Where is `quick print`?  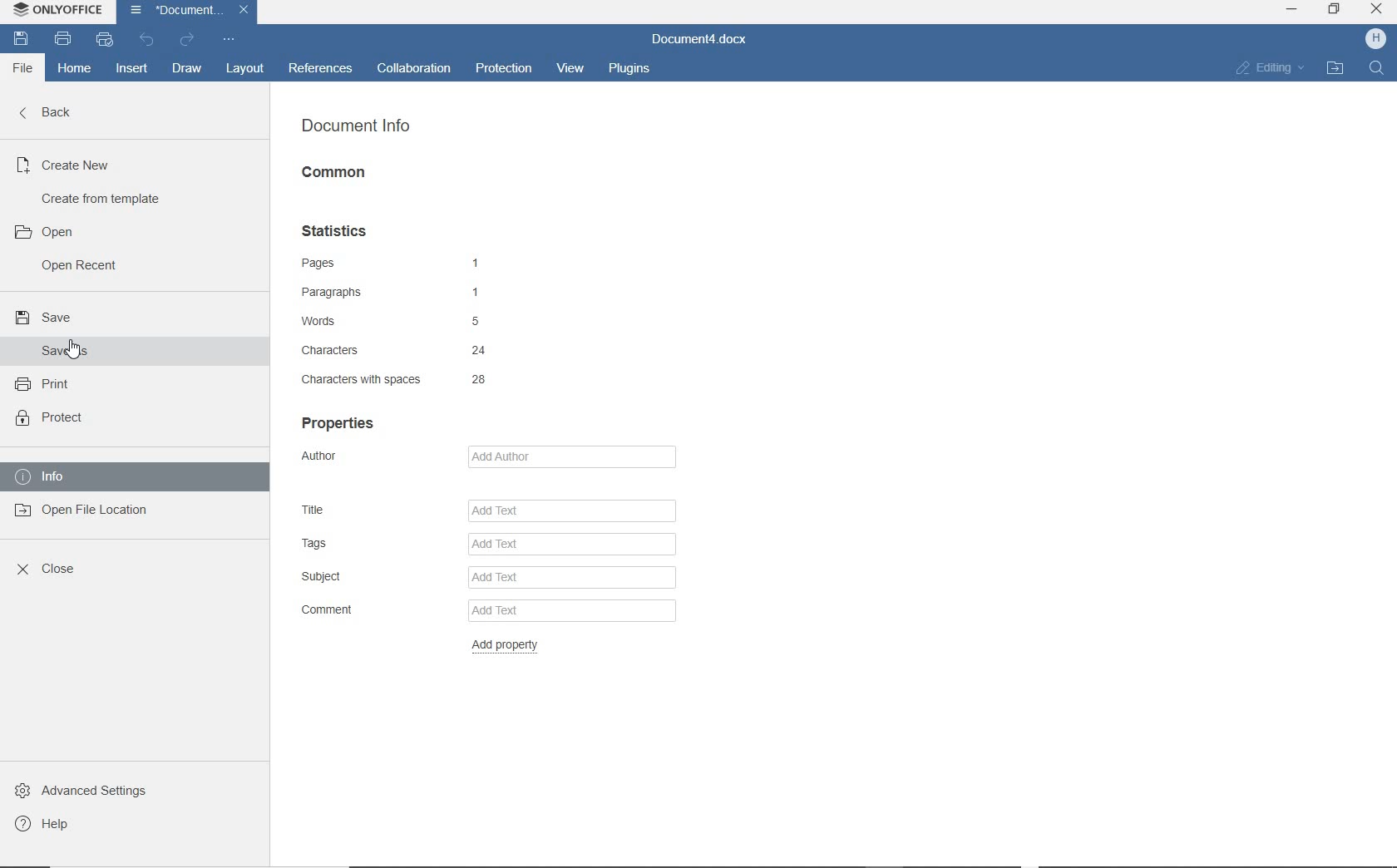
quick print is located at coordinates (102, 40).